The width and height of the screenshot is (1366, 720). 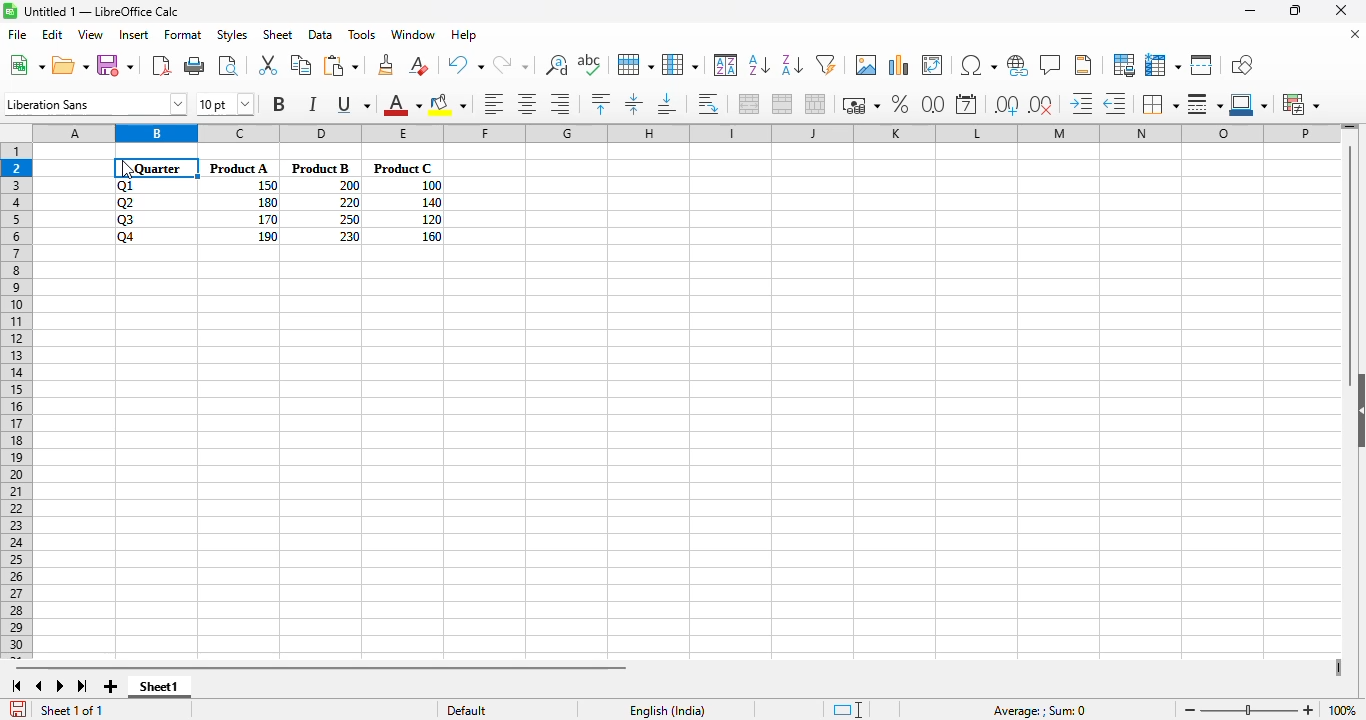 I want to click on rows, so click(x=16, y=401).